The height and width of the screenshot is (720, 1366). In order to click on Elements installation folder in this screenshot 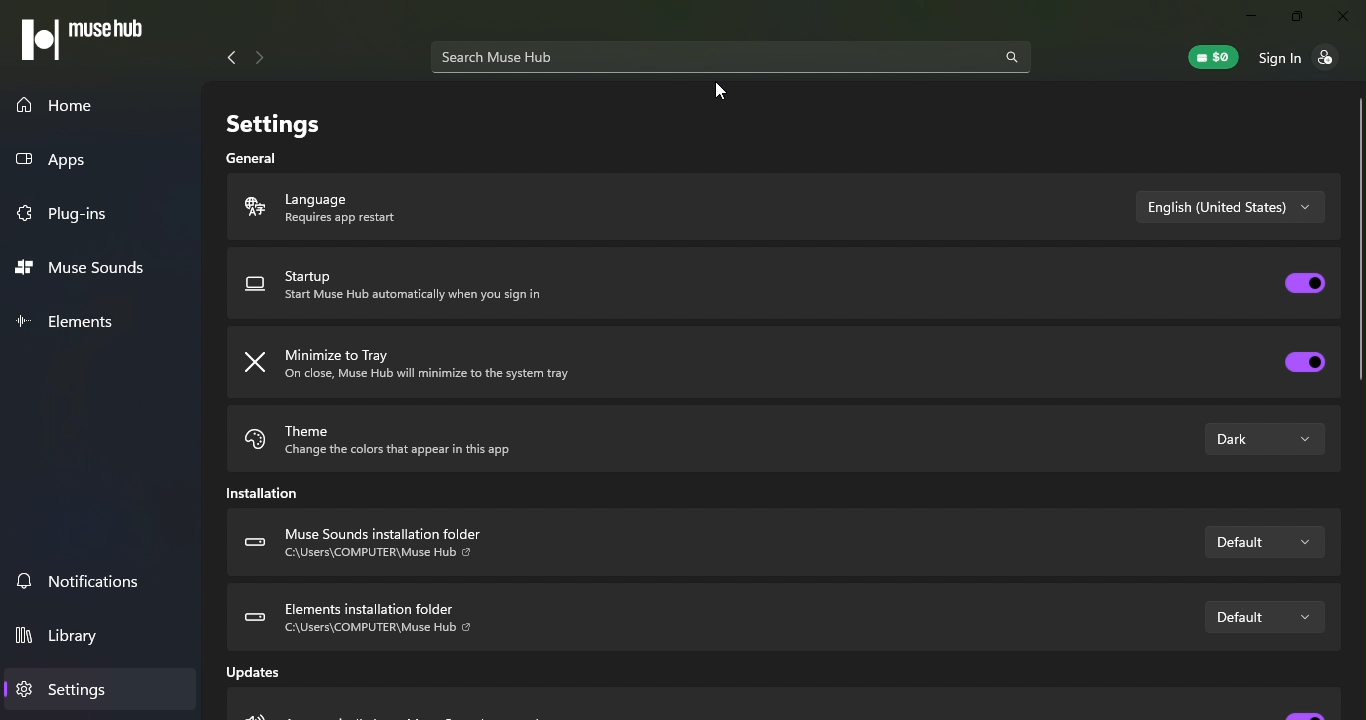, I will do `click(359, 617)`.